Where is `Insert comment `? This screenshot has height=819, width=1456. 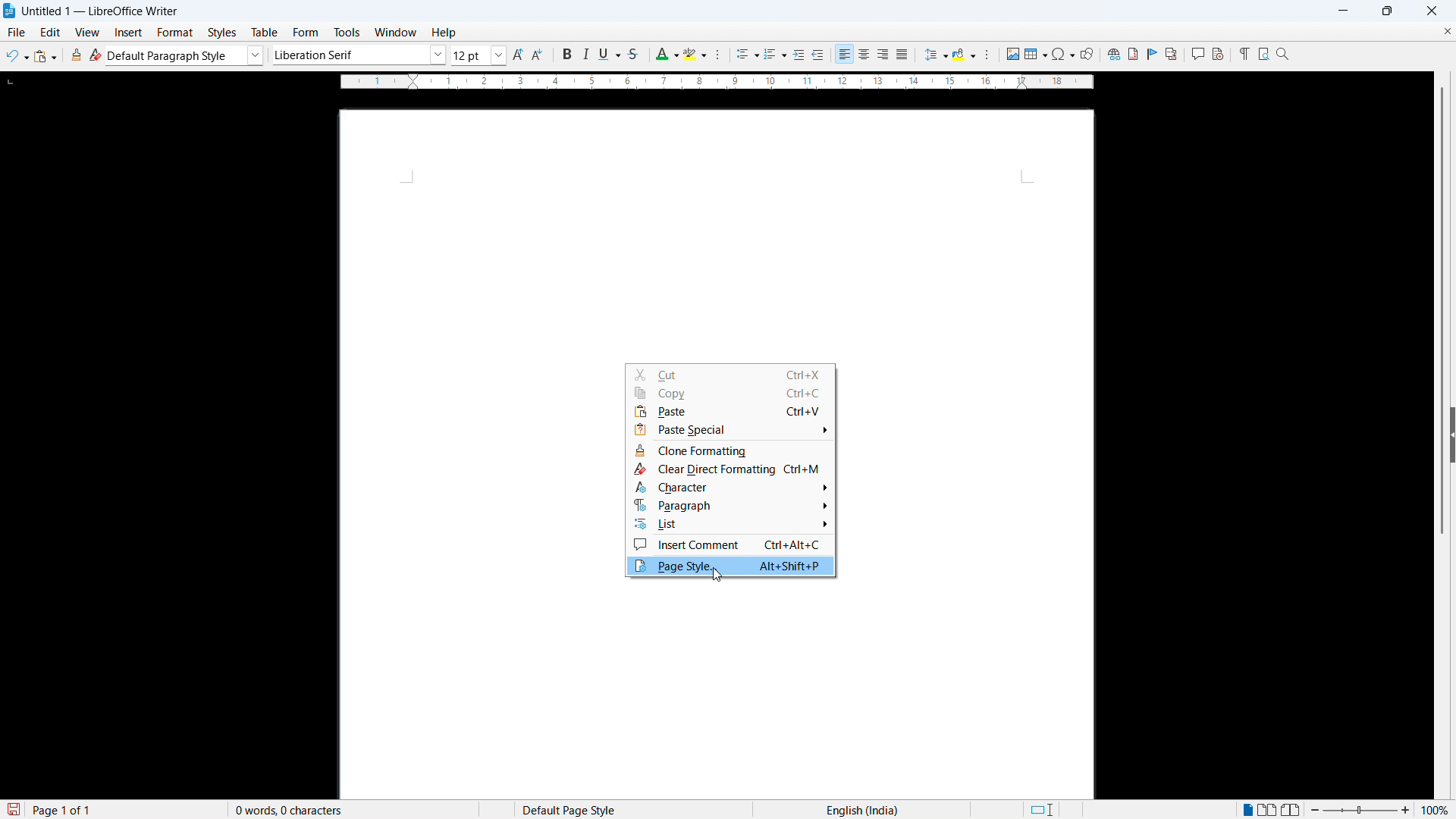 Insert comment  is located at coordinates (1197, 54).